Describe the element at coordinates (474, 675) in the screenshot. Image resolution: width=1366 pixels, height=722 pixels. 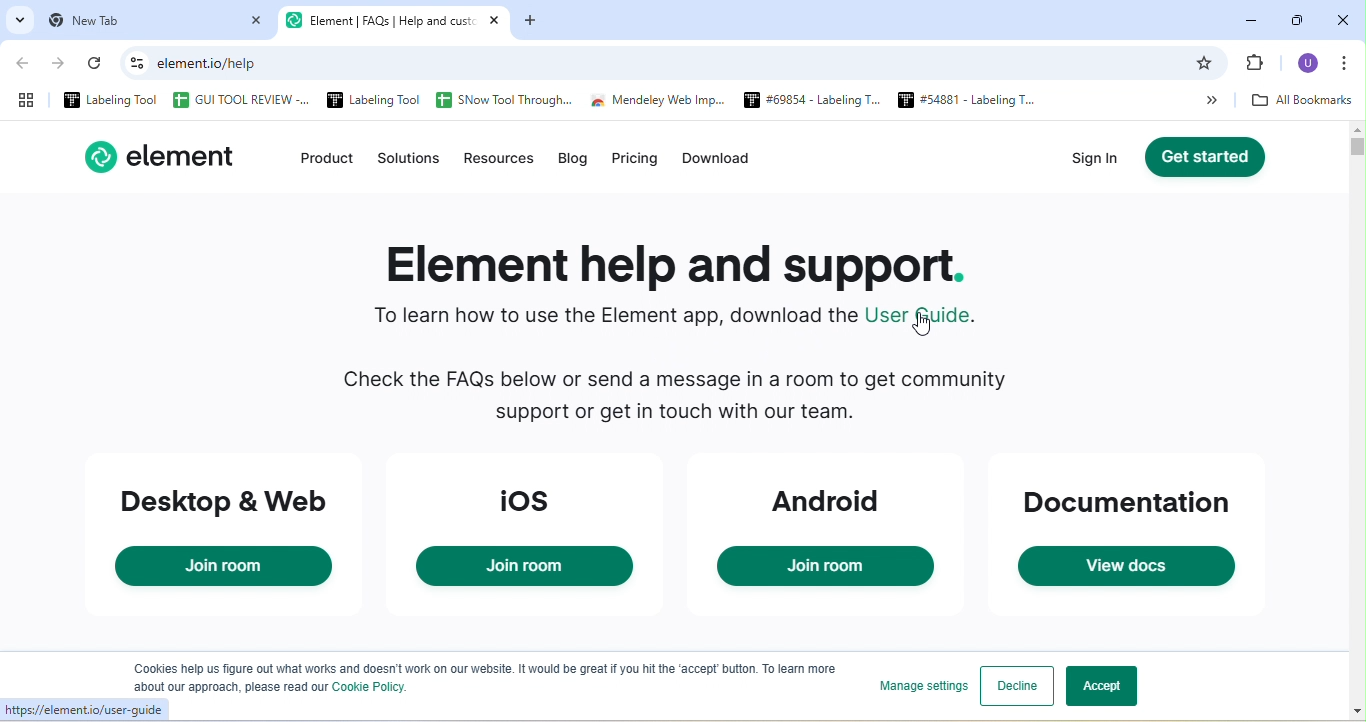
I see `Cookies help us figure out what works and doesn't work on our website. It would be great if you hit the ‘accept button. To lea
‘about our approach, please read our Cookie Policy.` at that location.